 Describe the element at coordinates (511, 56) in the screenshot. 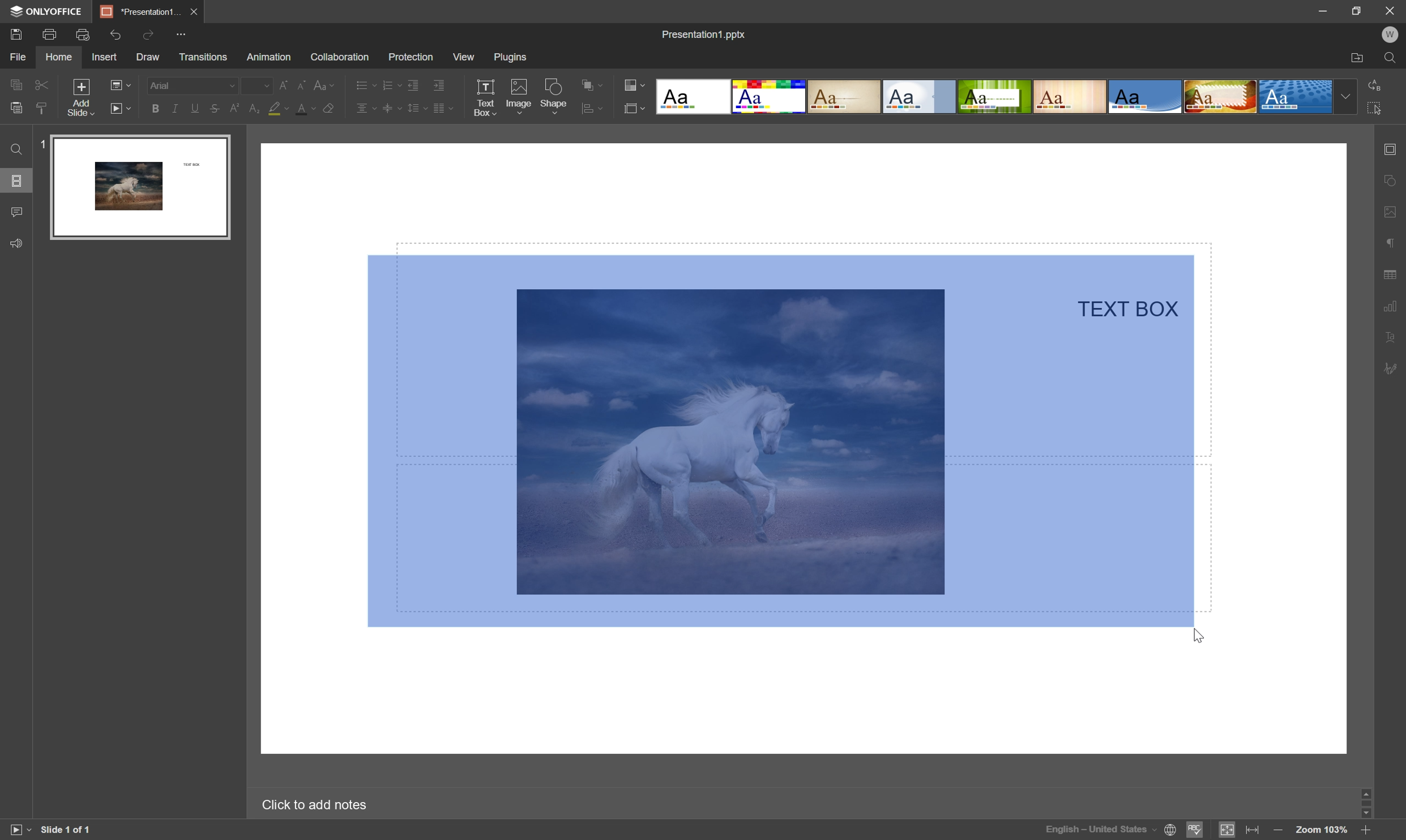

I see `plugins` at that location.